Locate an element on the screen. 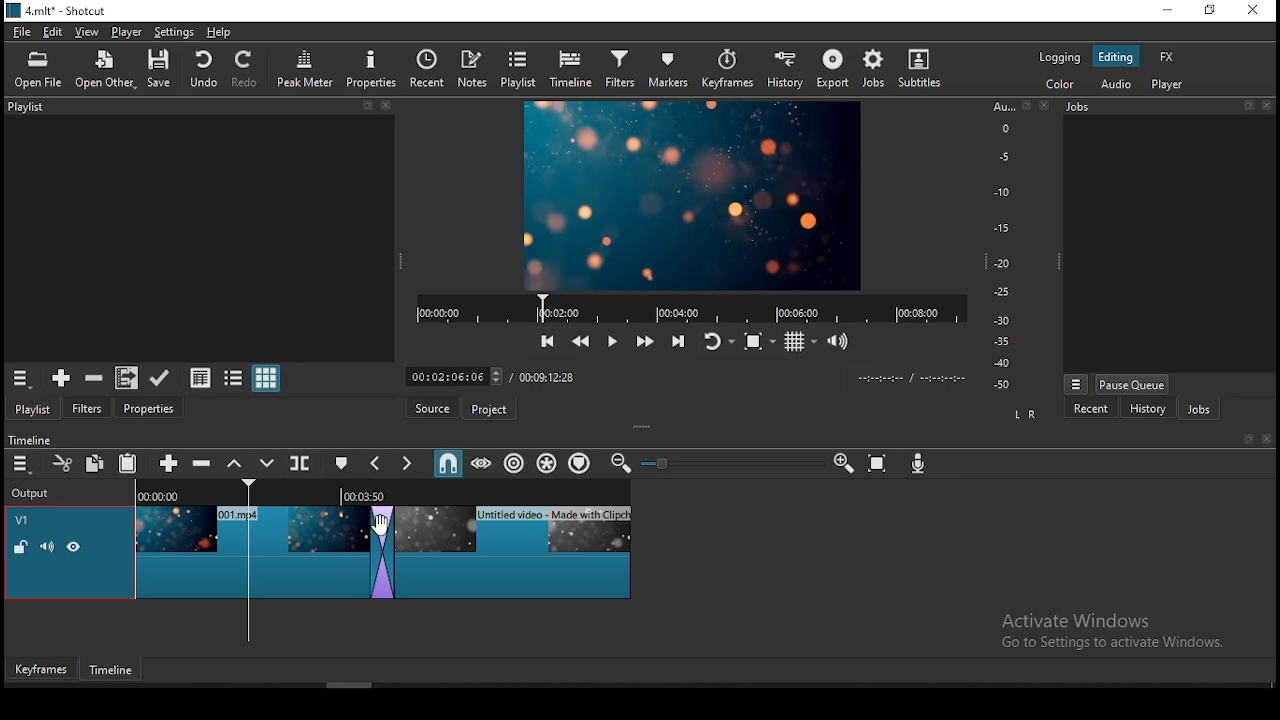 The image size is (1280, 720). ripple all tracks is located at coordinates (548, 464).